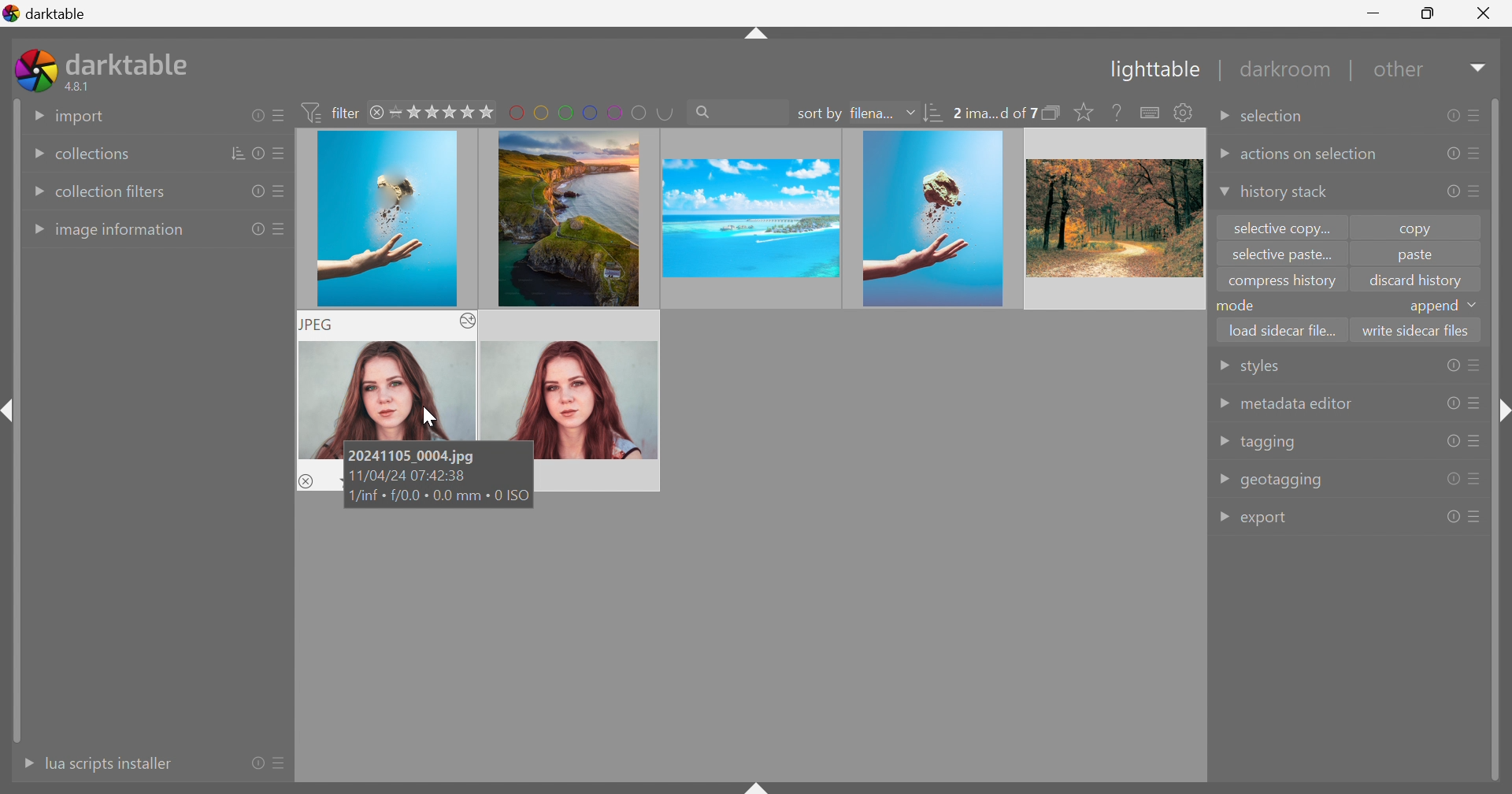 Image resolution: width=1512 pixels, height=794 pixels. What do you see at coordinates (748, 218) in the screenshot?
I see `image` at bounding box center [748, 218].